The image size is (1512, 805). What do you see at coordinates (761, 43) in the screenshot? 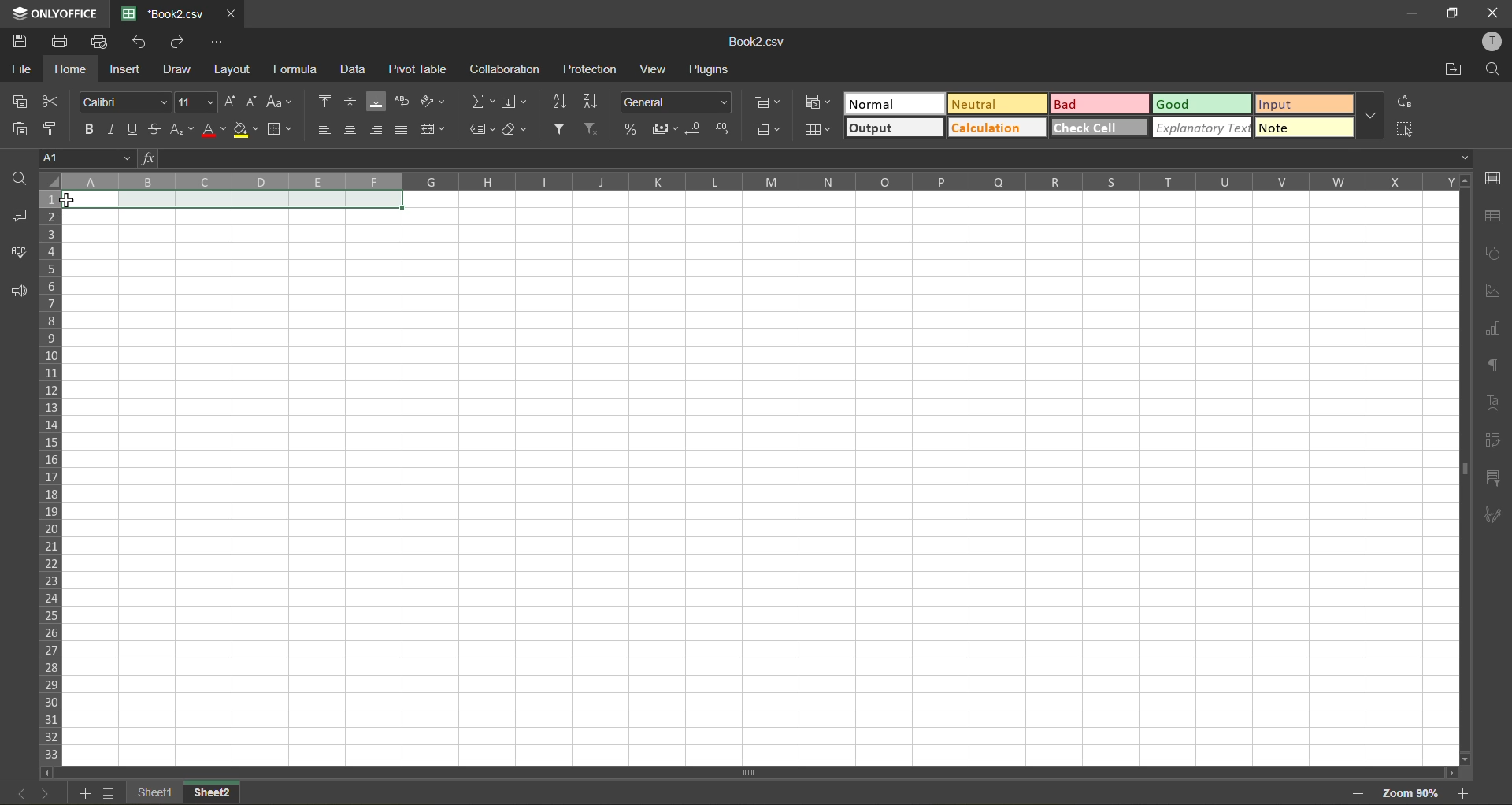
I see `file name` at bounding box center [761, 43].